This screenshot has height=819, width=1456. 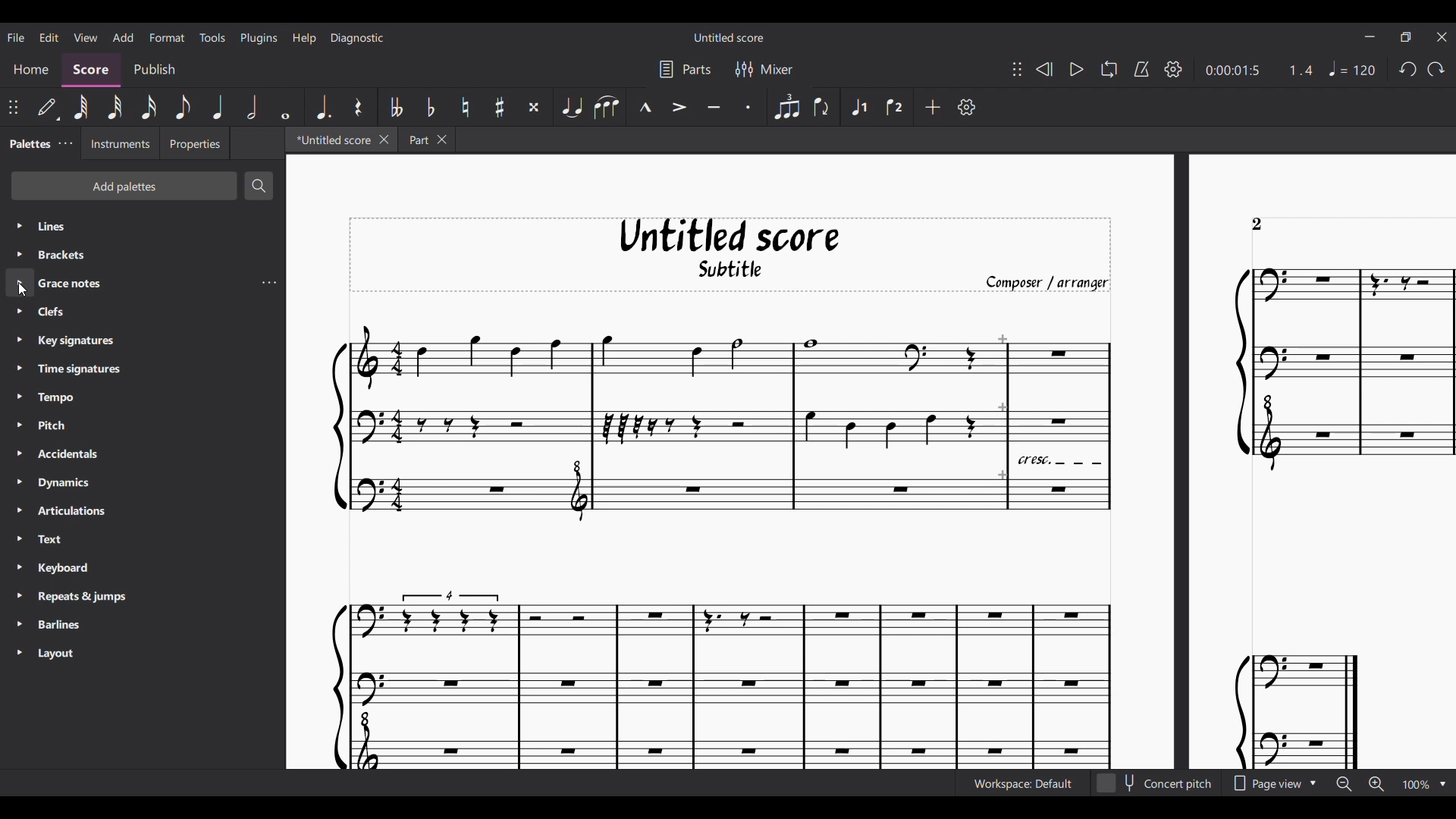 I want to click on Current duration and ratio, so click(x=1259, y=71).